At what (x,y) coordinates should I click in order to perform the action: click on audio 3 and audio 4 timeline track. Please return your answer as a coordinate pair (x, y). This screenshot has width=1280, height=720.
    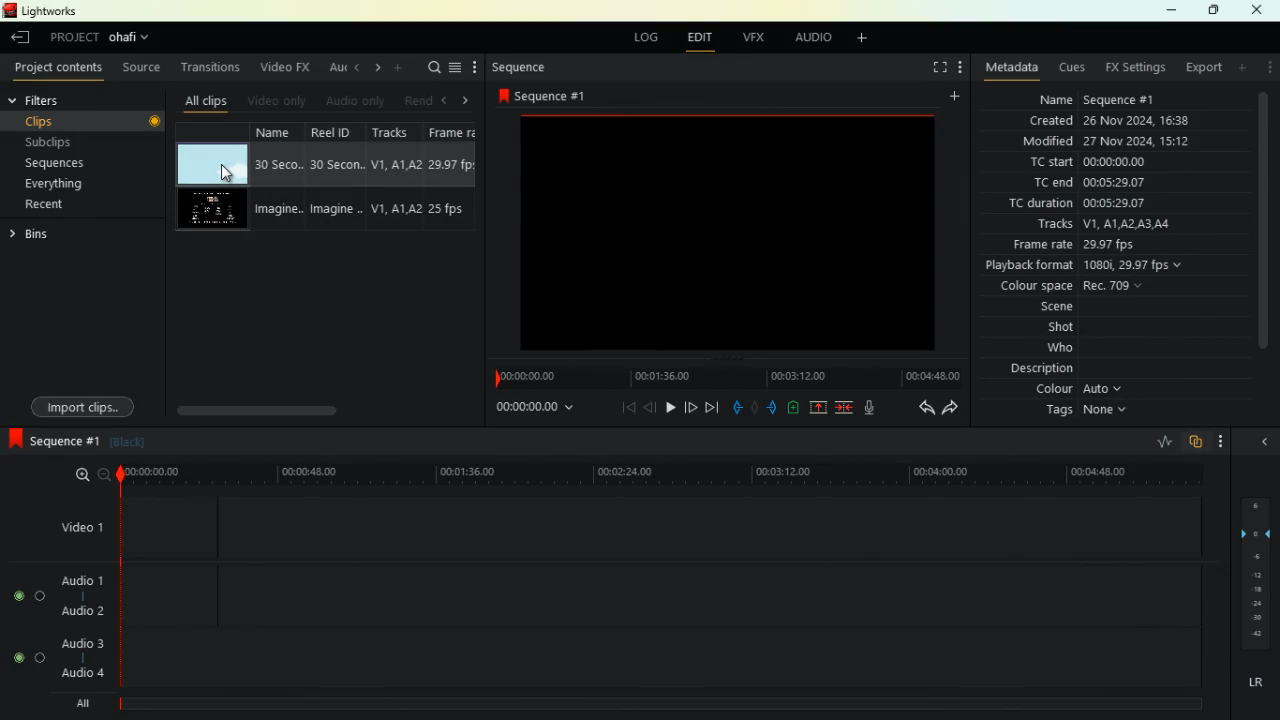
    Looking at the image, I should click on (665, 661).